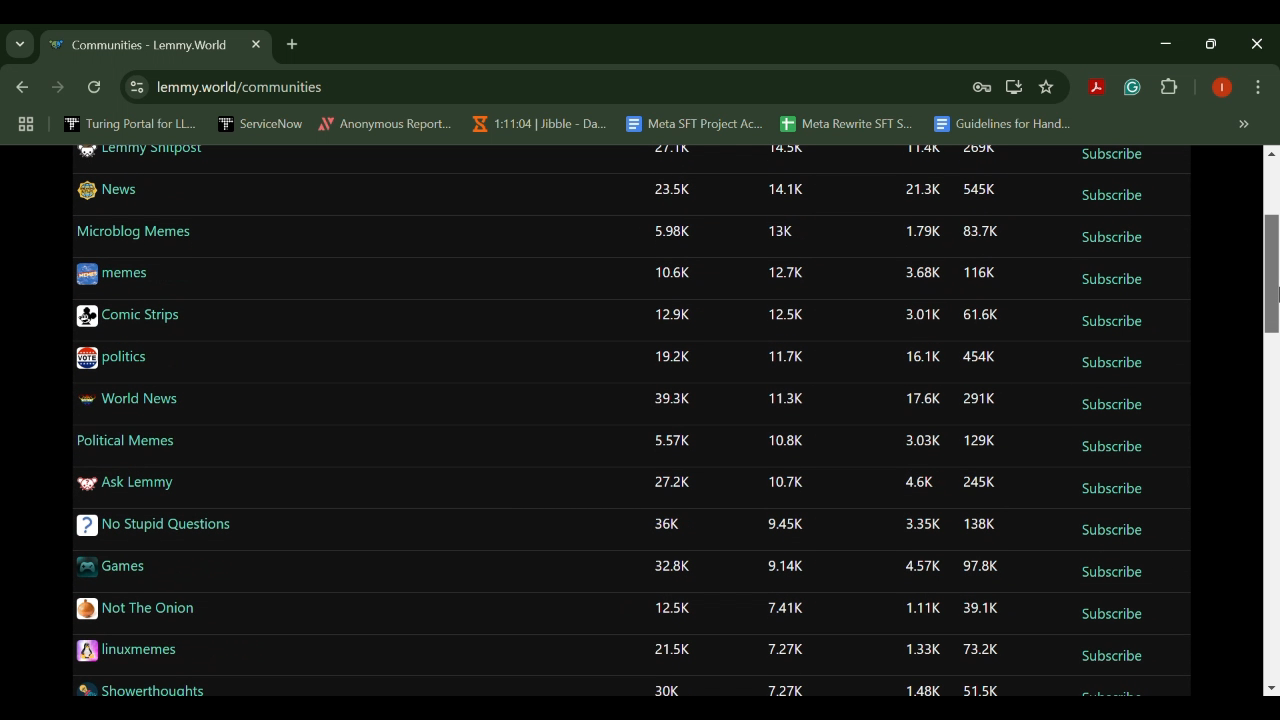 This screenshot has width=1280, height=720. Describe the element at coordinates (386, 123) in the screenshot. I see `Anonymous Report` at that location.